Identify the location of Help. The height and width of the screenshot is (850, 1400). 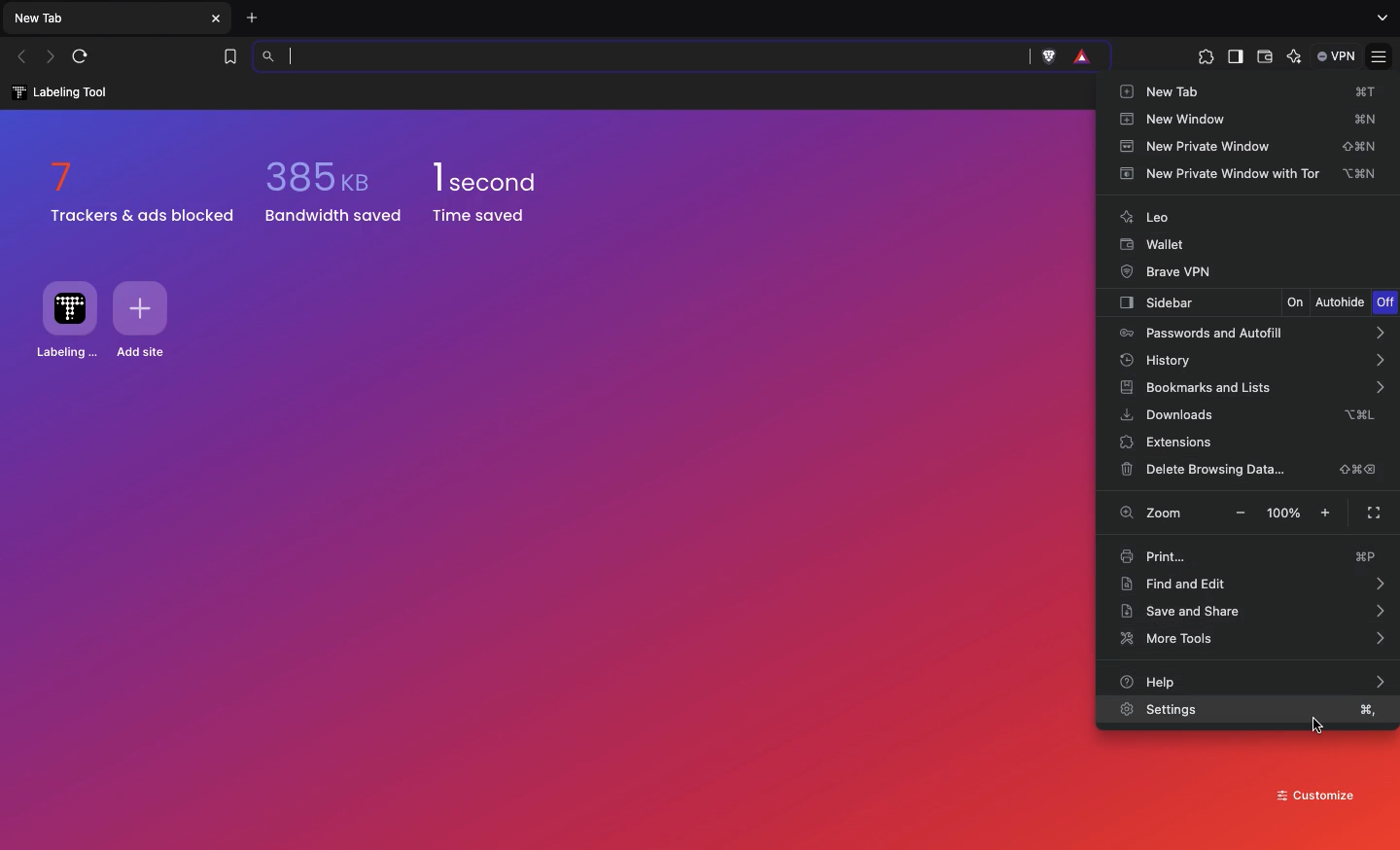
(1256, 681).